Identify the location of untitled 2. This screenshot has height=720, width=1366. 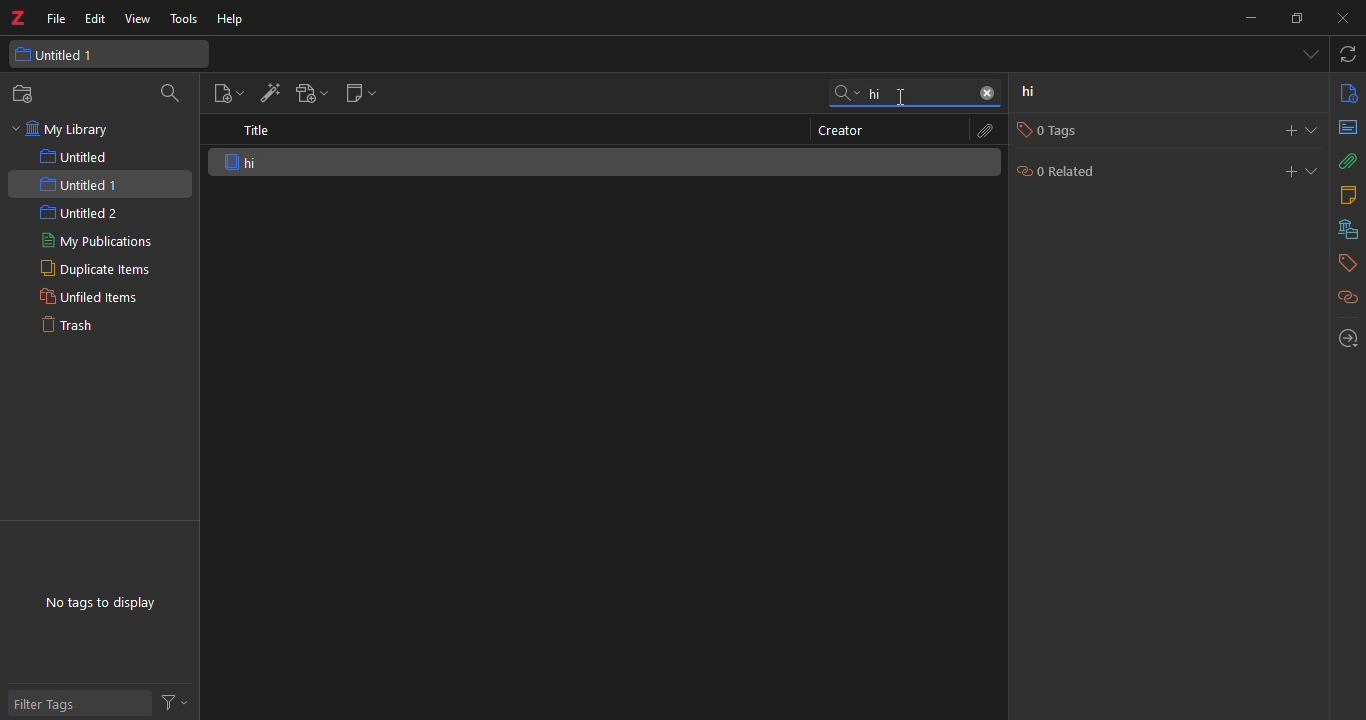
(82, 212).